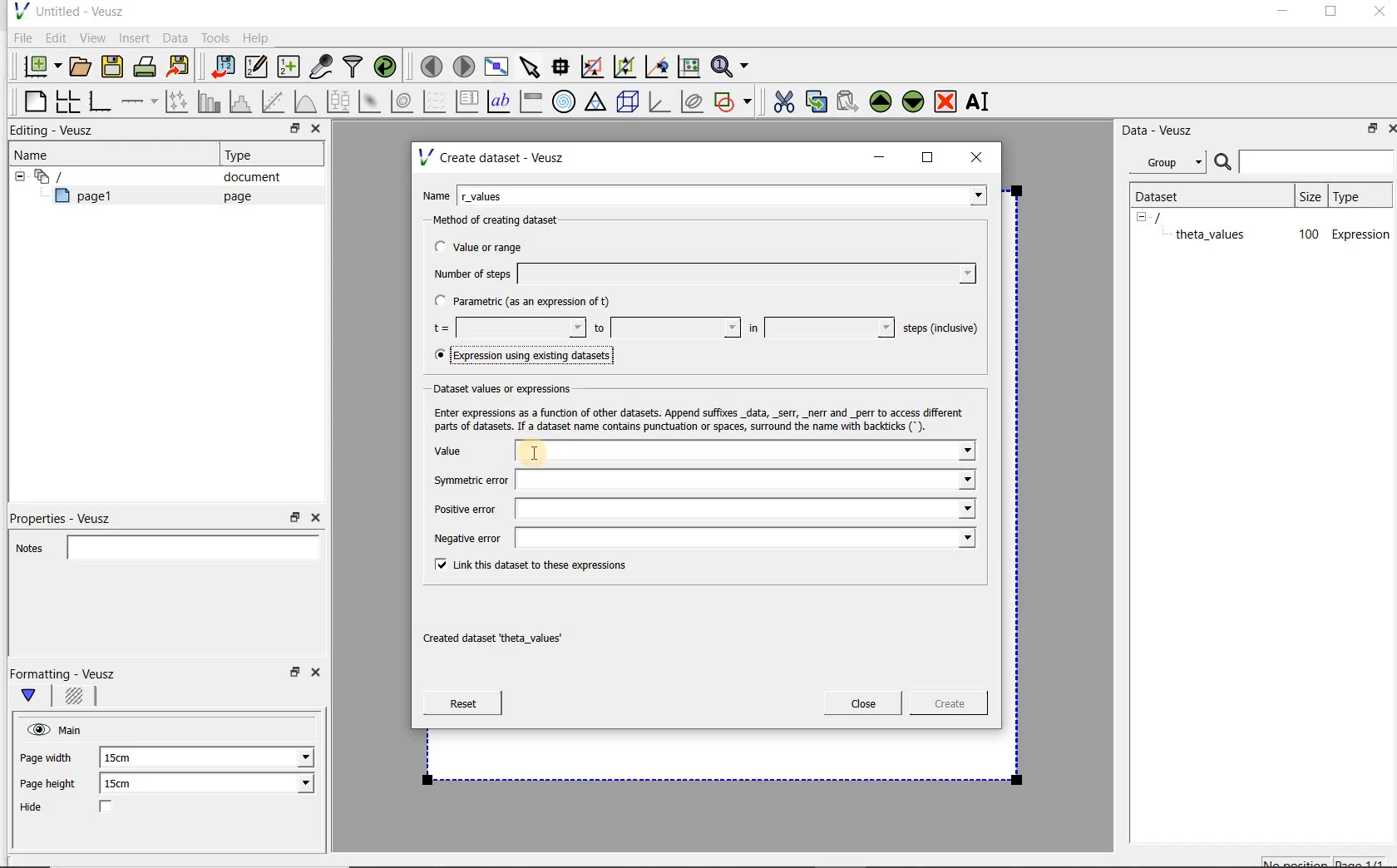  I want to click on plot a 2d dataset as contours, so click(403, 101).